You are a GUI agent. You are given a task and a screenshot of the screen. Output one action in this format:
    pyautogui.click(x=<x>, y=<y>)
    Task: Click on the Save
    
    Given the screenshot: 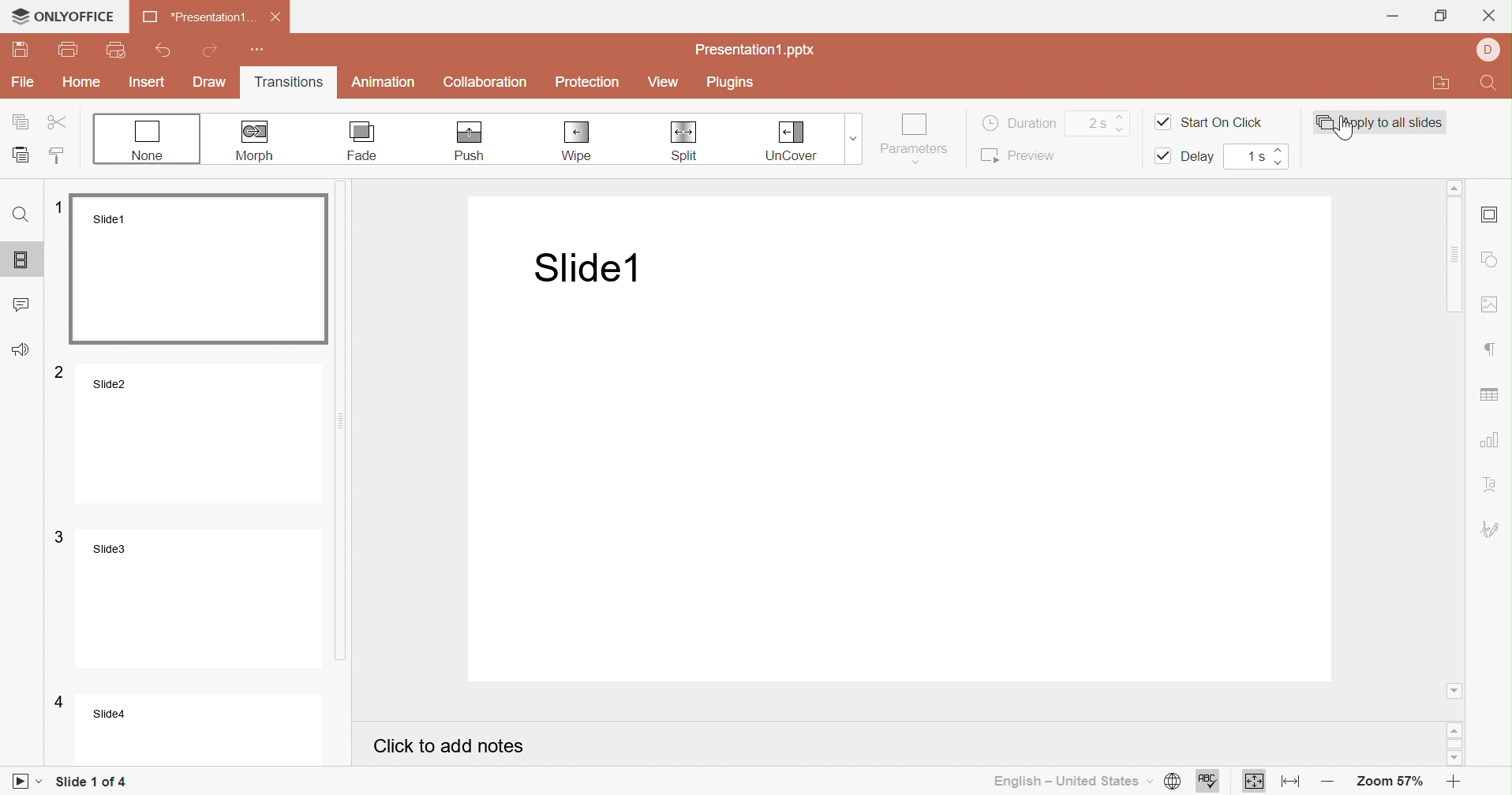 What is the action you would take?
    pyautogui.click(x=21, y=49)
    